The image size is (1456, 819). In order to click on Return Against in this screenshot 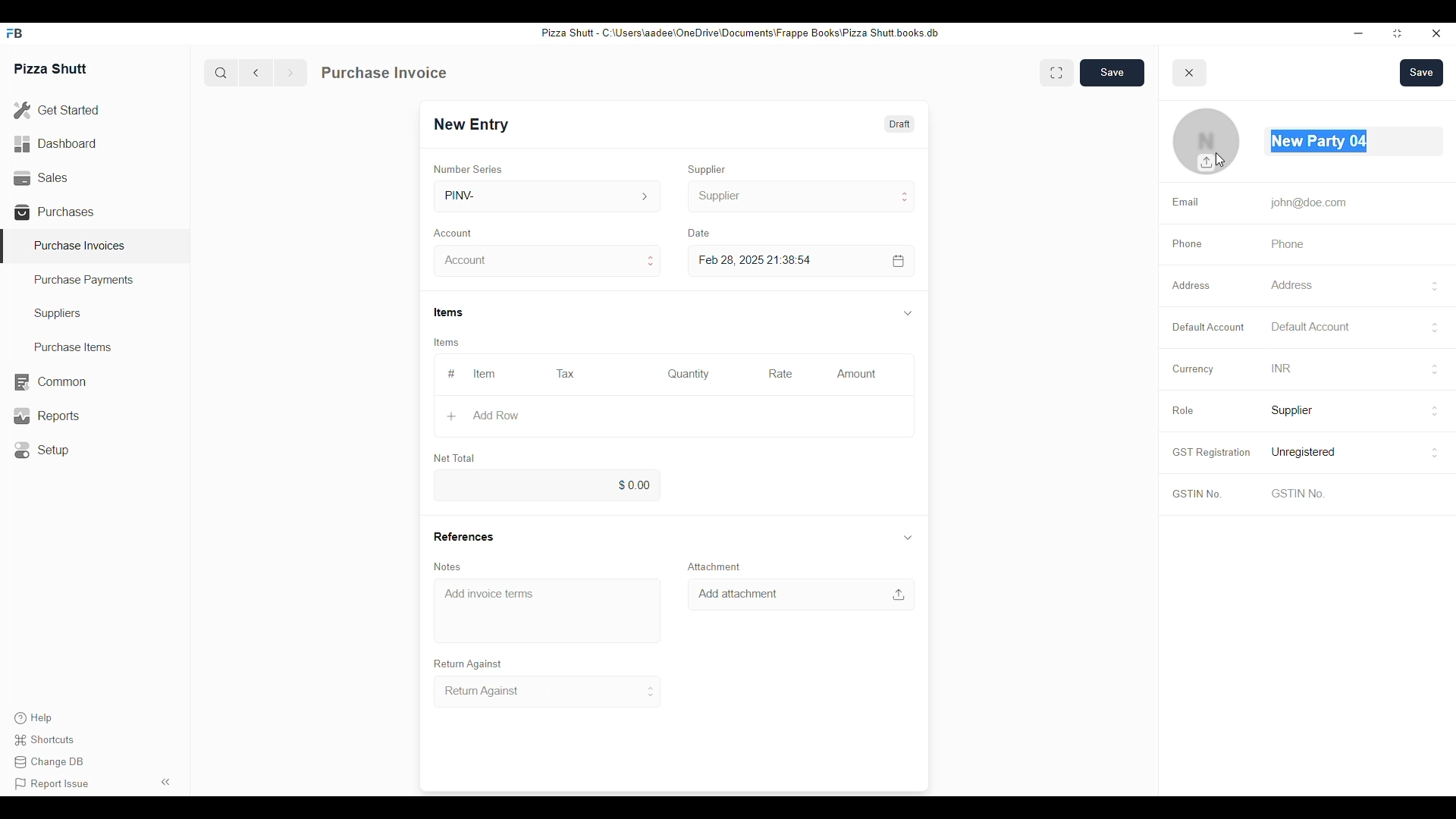, I will do `click(466, 664)`.